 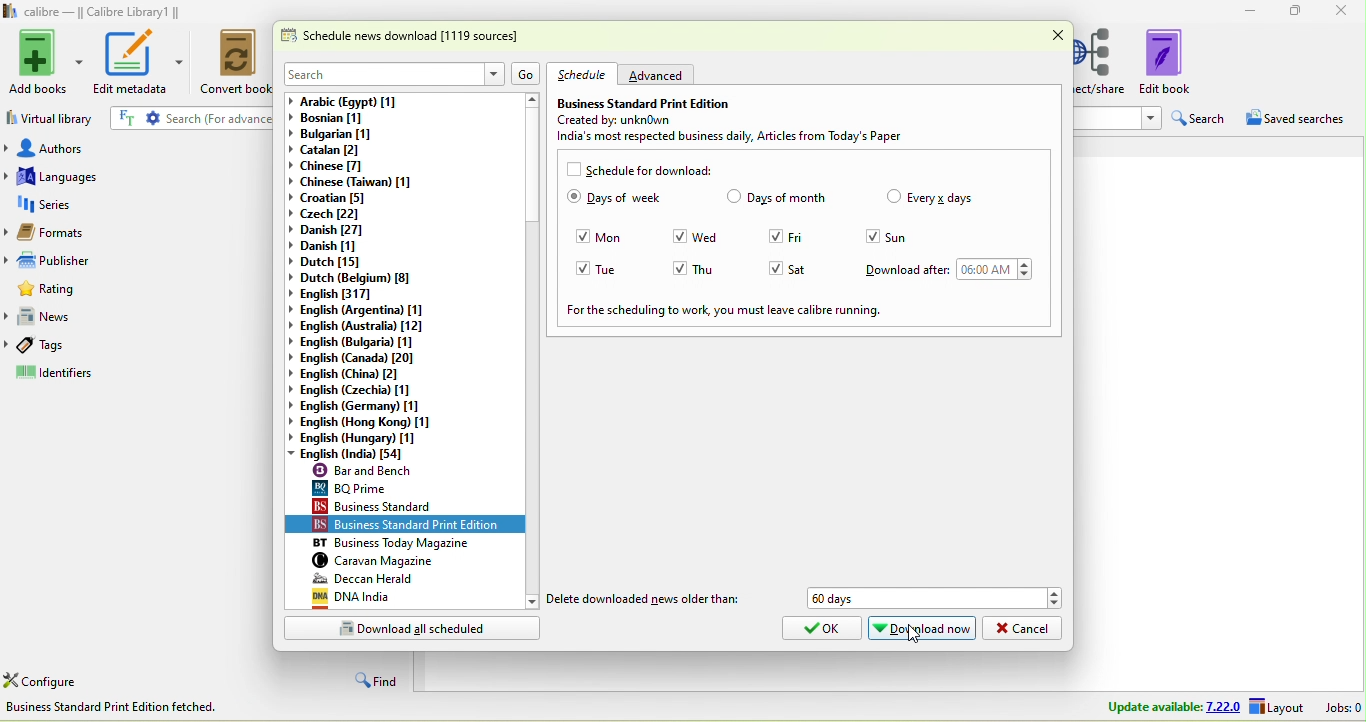 I want to click on bq prime, so click(x=411, y=487).